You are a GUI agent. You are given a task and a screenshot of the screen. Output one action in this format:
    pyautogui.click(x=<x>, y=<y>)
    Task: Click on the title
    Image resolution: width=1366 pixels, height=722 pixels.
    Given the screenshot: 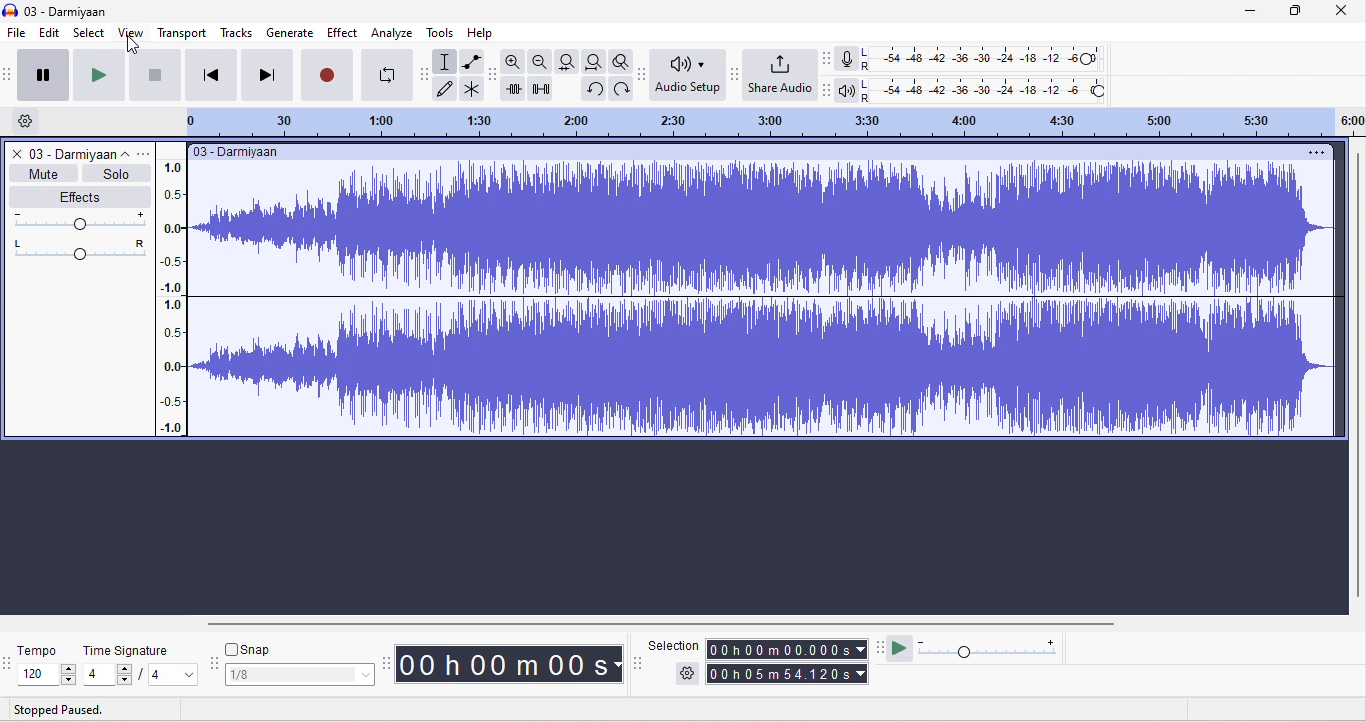 What is the action you would take?
    pyautogui.click(x=241, y=152)
    